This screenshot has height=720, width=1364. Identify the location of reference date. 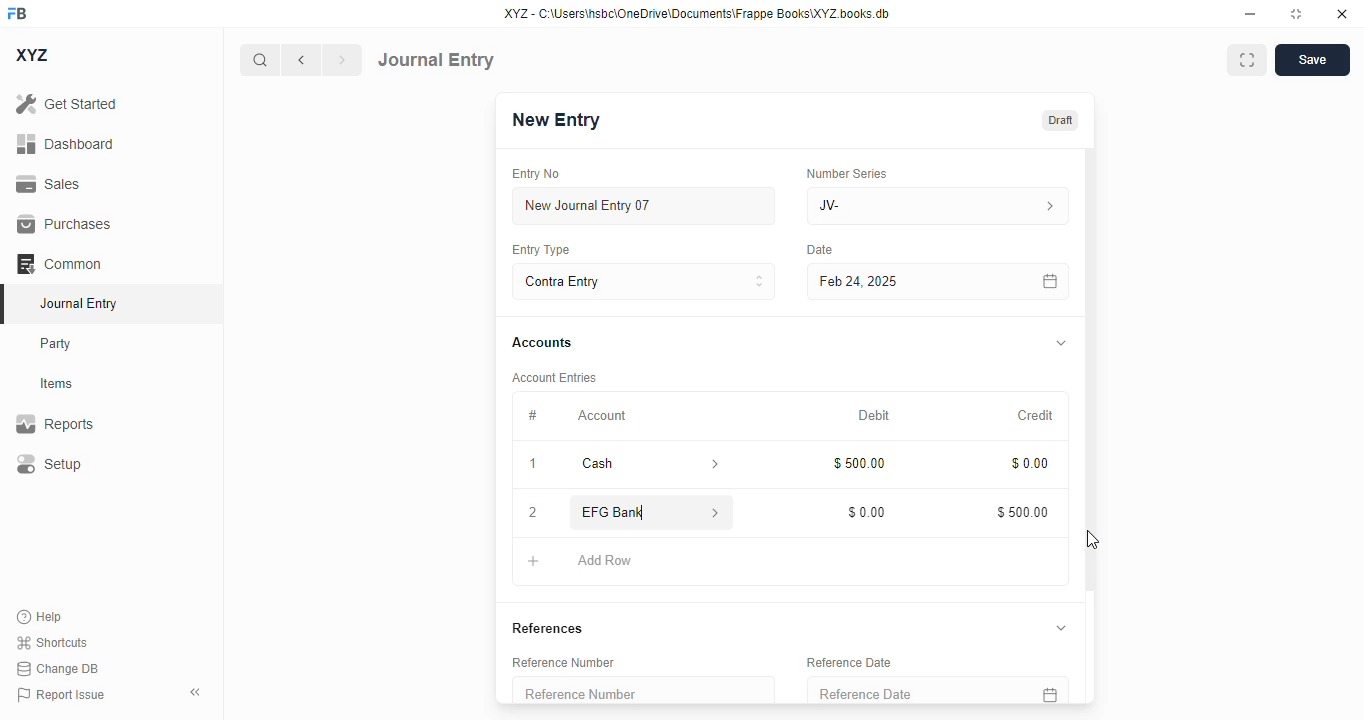
(899, 690).